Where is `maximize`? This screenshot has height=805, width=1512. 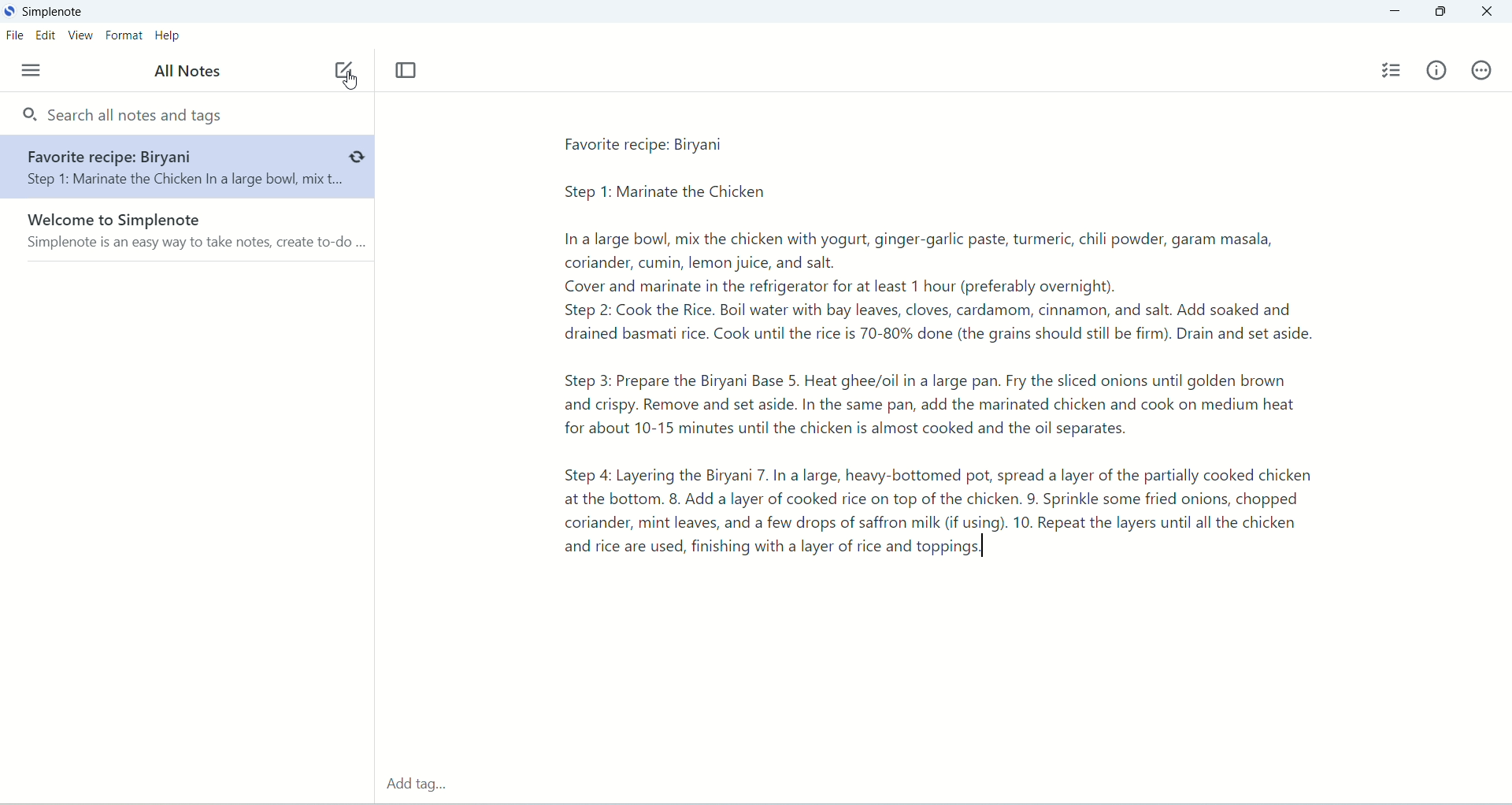
maximize is located at coordinates (1436, 15).